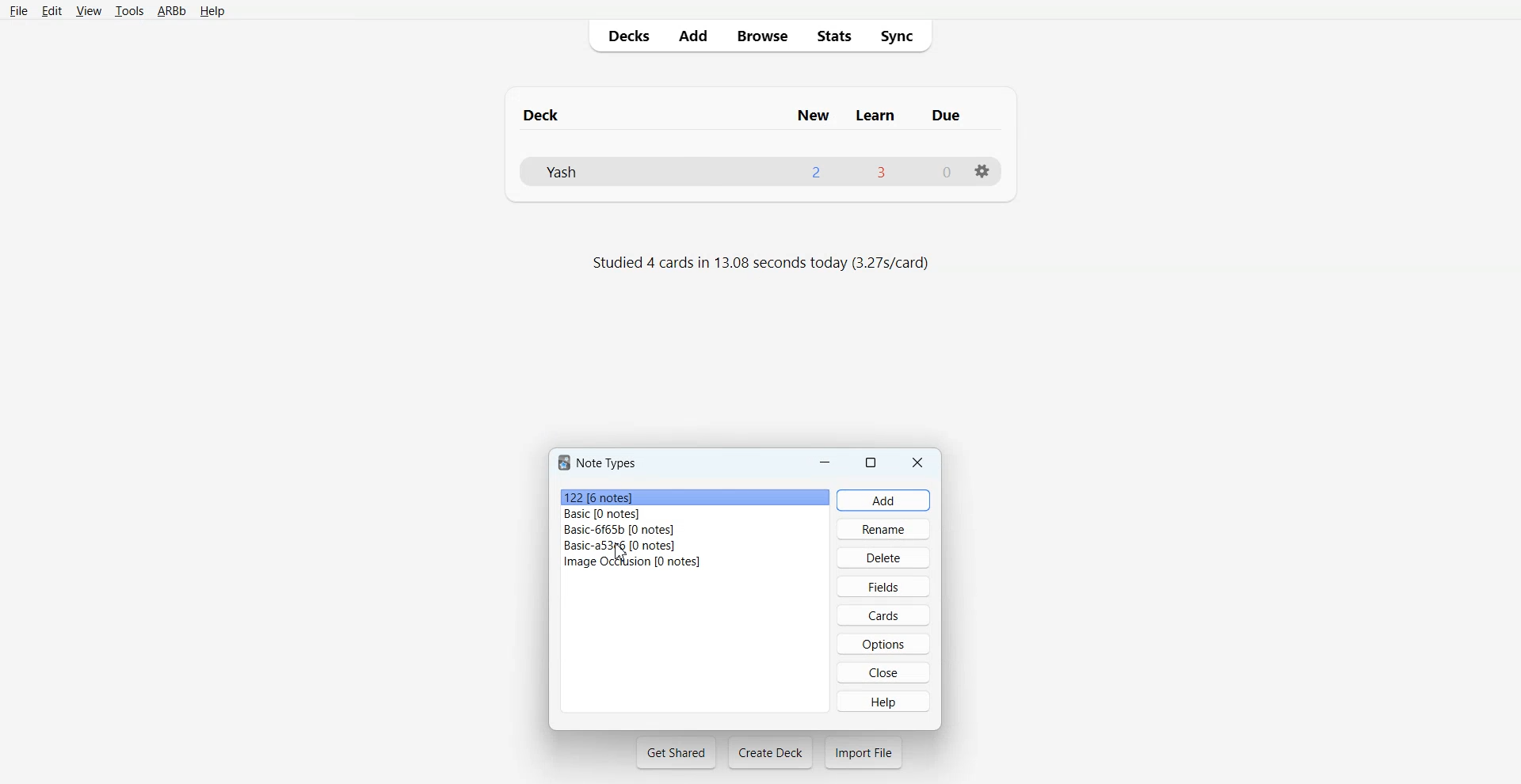  I want to click on Close, so click(884, 672).